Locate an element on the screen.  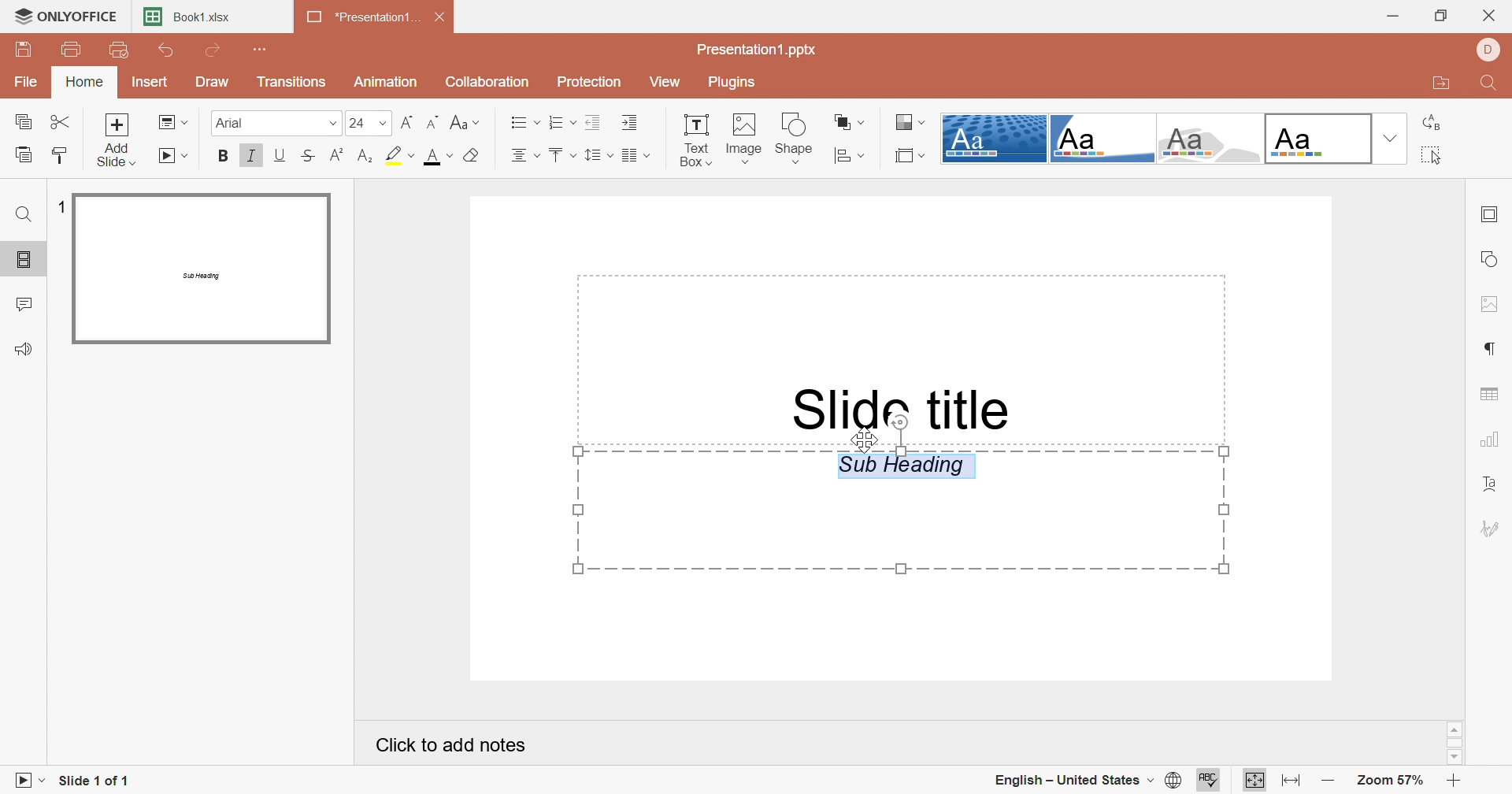
Align center is located at coordinates (527, 154).